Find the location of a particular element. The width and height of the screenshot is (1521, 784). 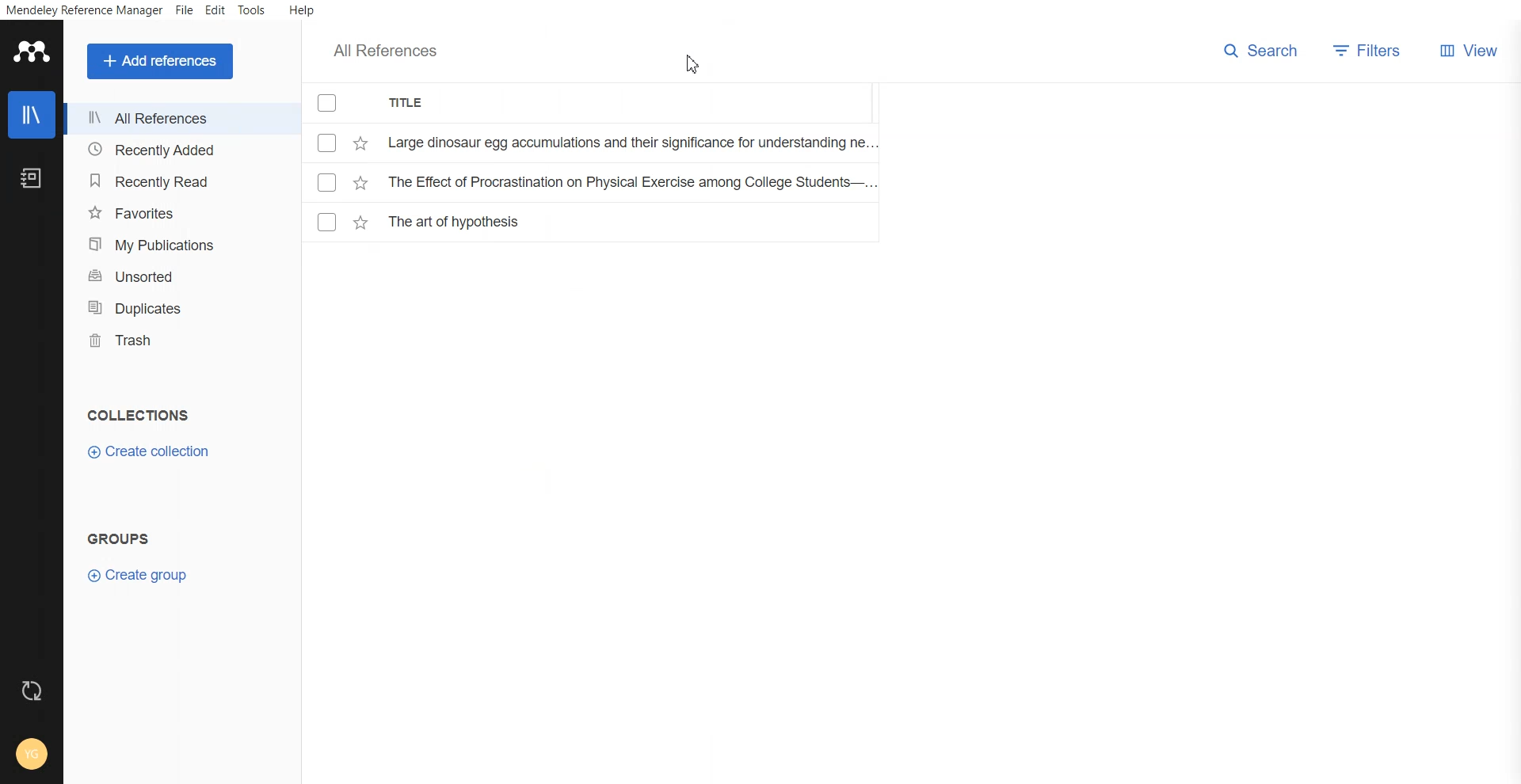

Notebook is located at coordinates (31, 177).